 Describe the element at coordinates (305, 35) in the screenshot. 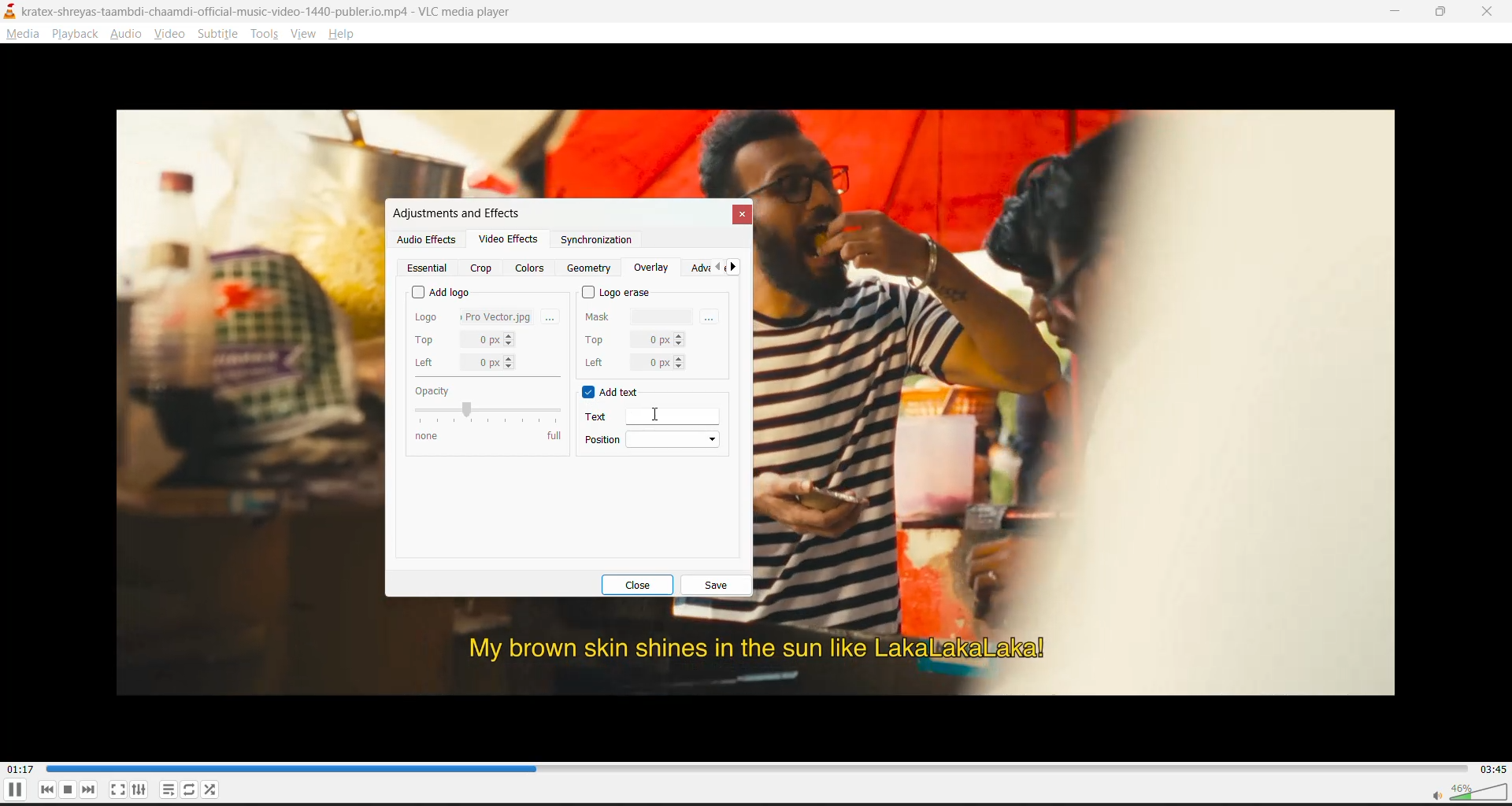

I see `view` at that location.